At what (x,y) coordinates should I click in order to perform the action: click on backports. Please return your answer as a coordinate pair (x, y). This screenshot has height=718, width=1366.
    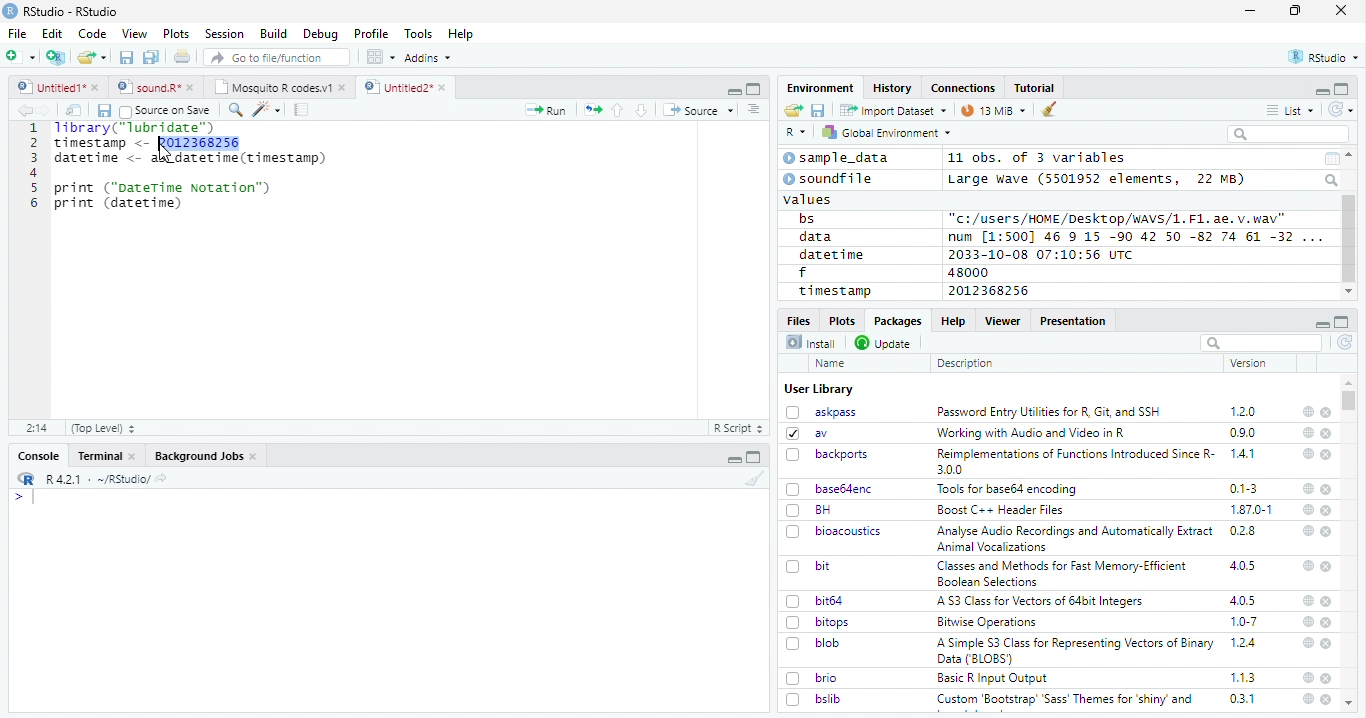
    Looking at the image, I should click on (830, 455).